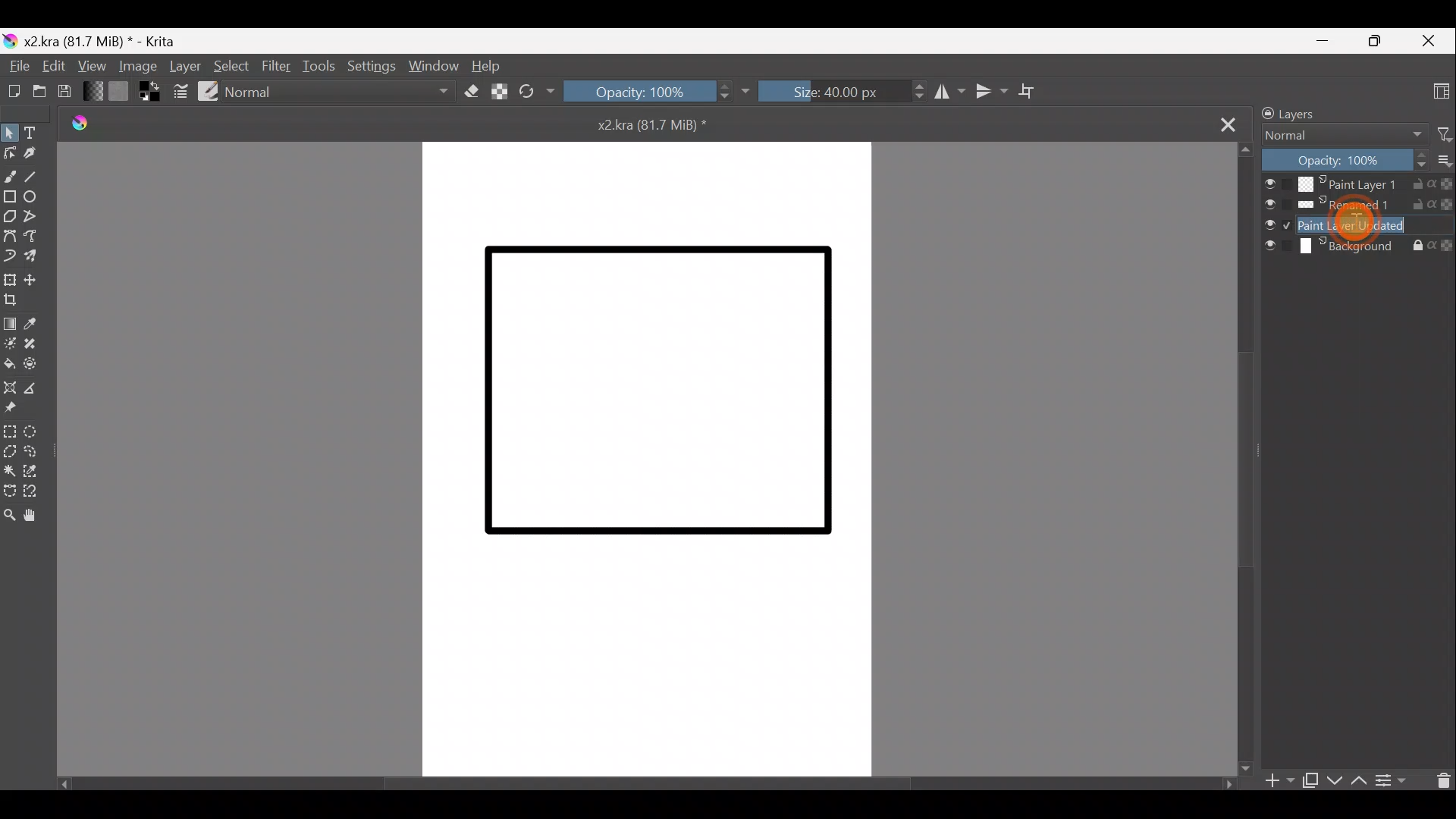 This screenshot has height=819, width=1456. I want to click on Pan tool, so click(35, 515).